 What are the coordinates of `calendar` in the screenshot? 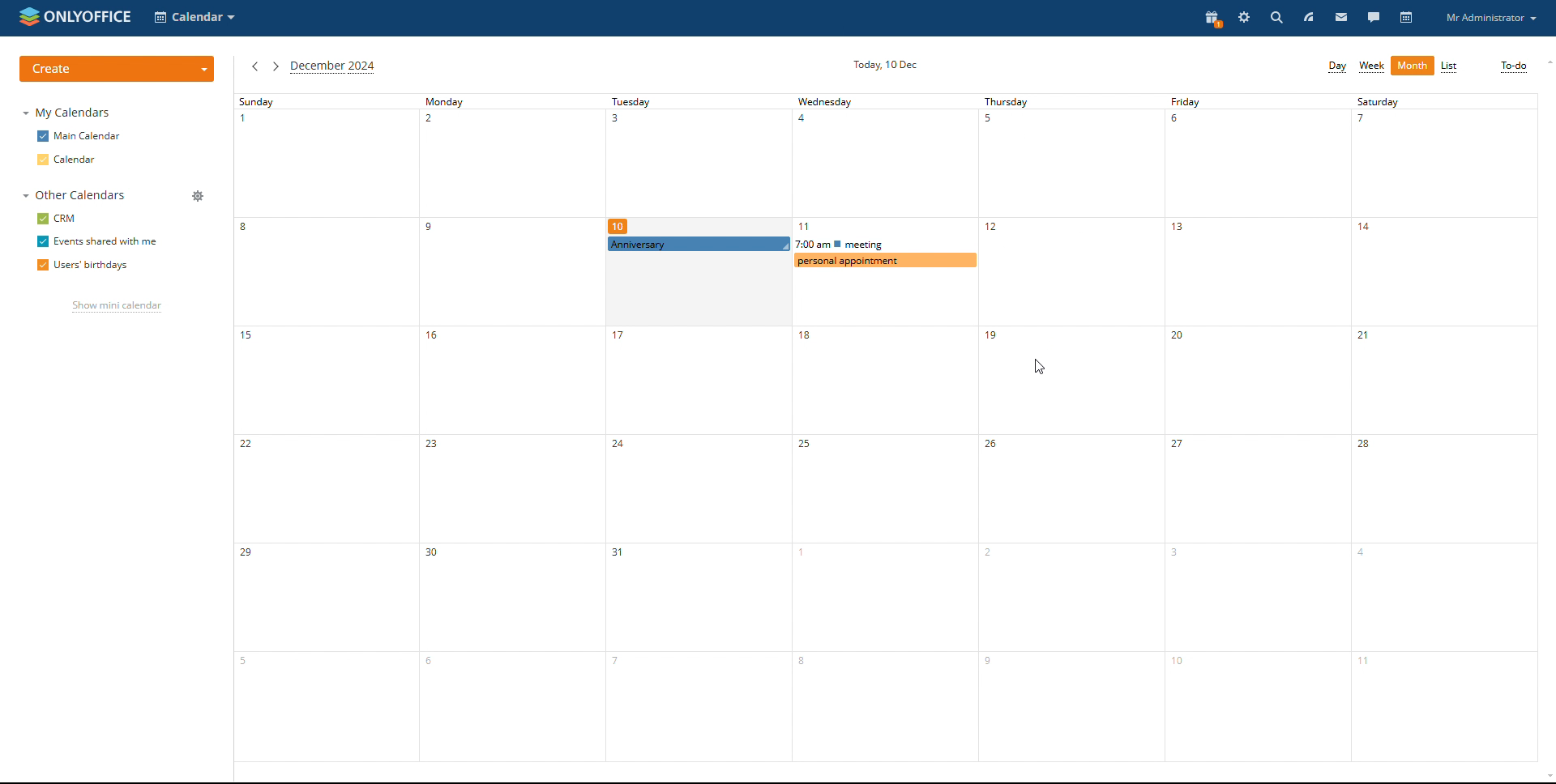 It's located at (80, 159).